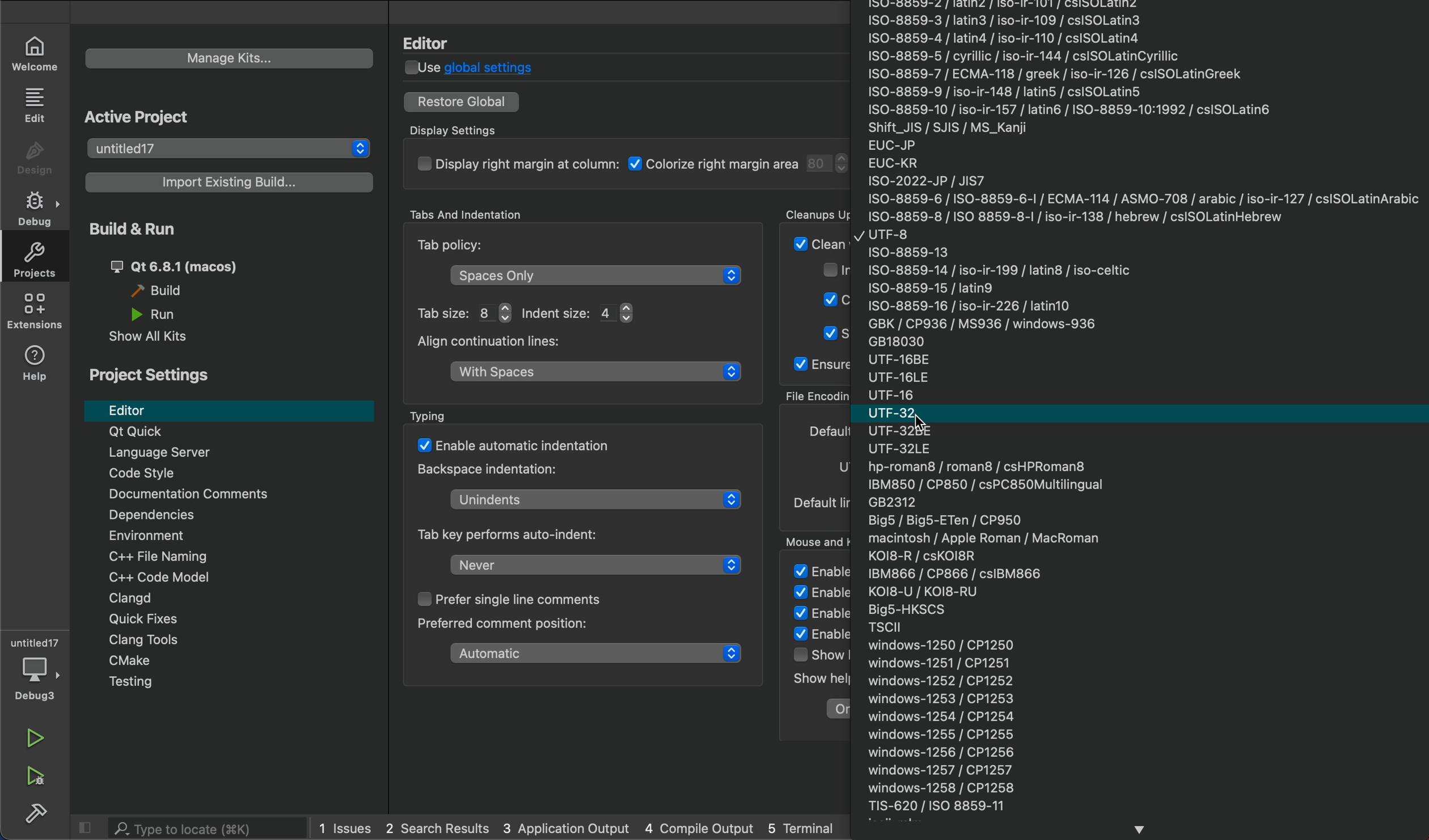  I want to click on Documentation comments, so click(225, 495).